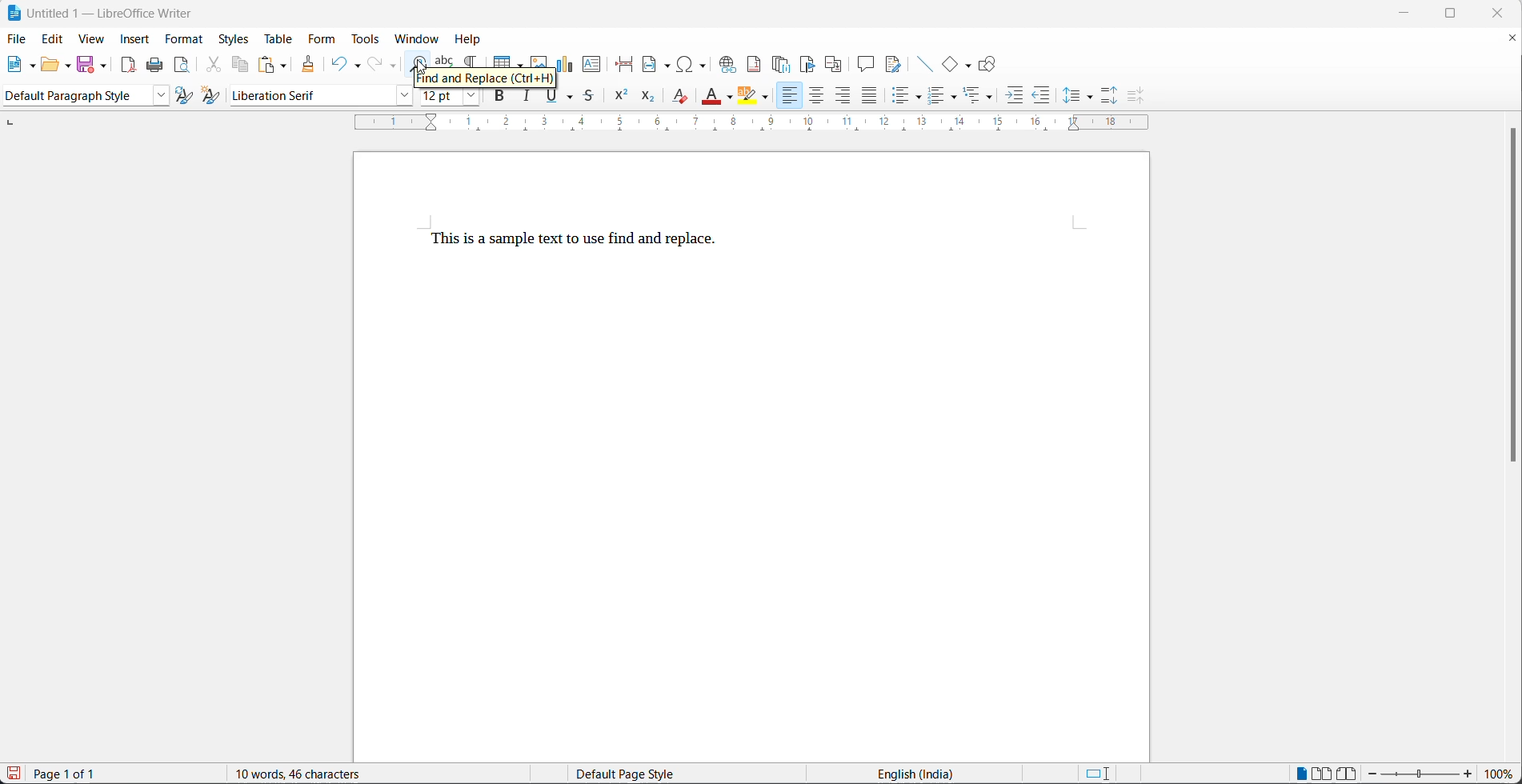 This screenshot has height=784, width=1522. Describe the element at coordinates (783, 64) in the screenshot. I see `insert endnote` at that location.